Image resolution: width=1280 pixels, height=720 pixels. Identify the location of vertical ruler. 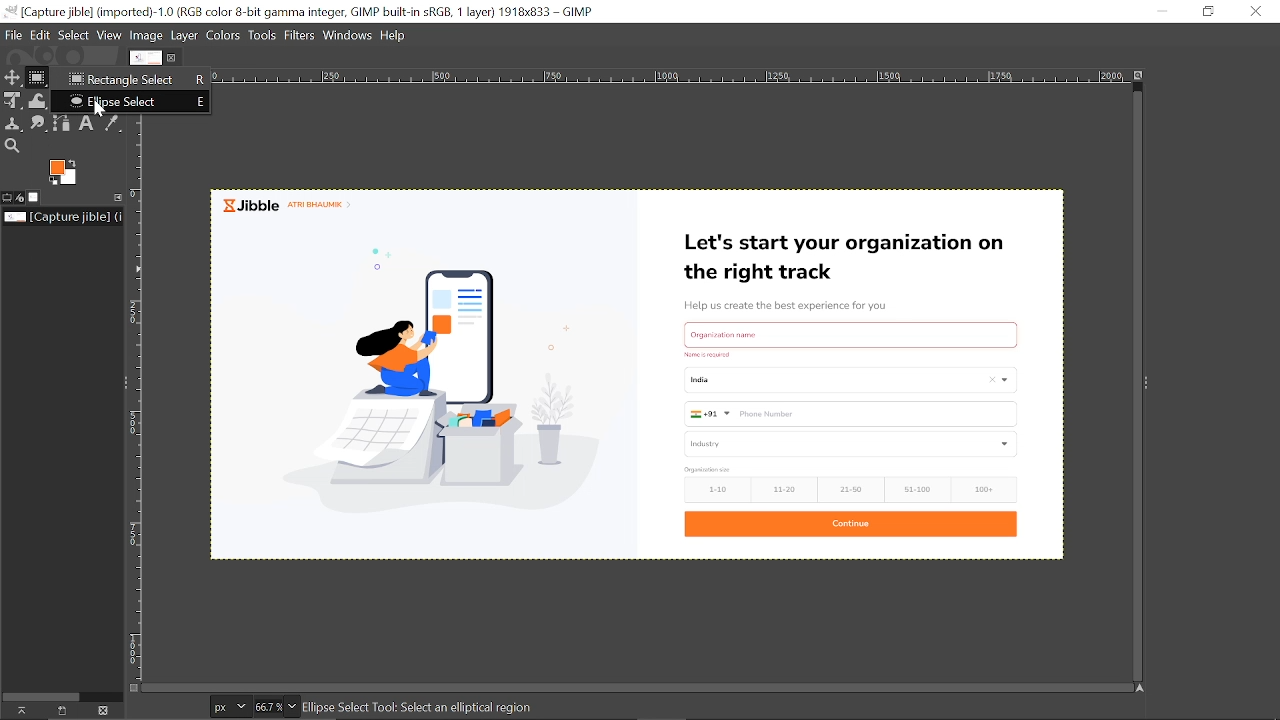
(146, 398).